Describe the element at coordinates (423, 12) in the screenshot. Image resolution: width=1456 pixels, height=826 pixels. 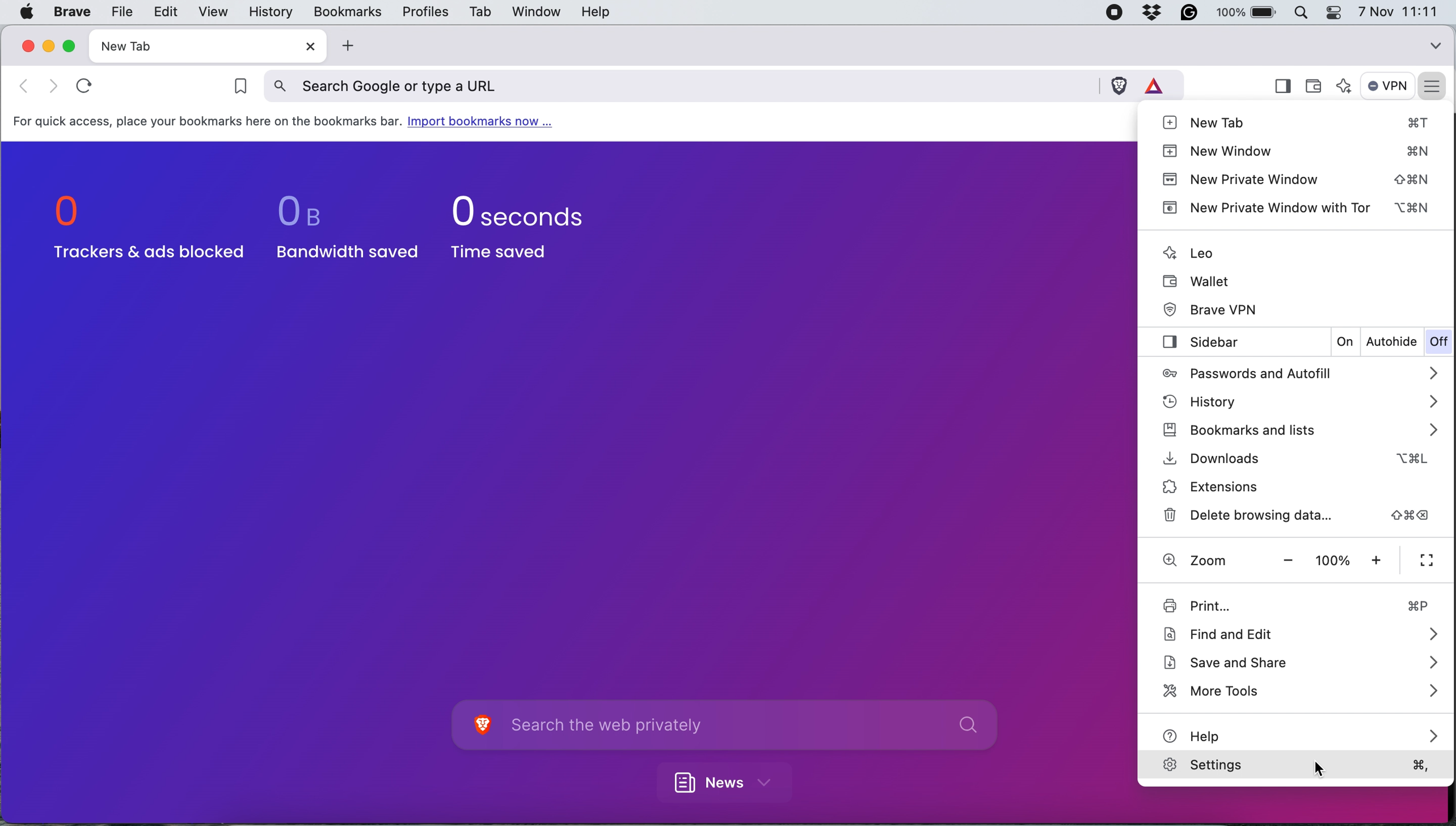
I see `profiles` at that location.